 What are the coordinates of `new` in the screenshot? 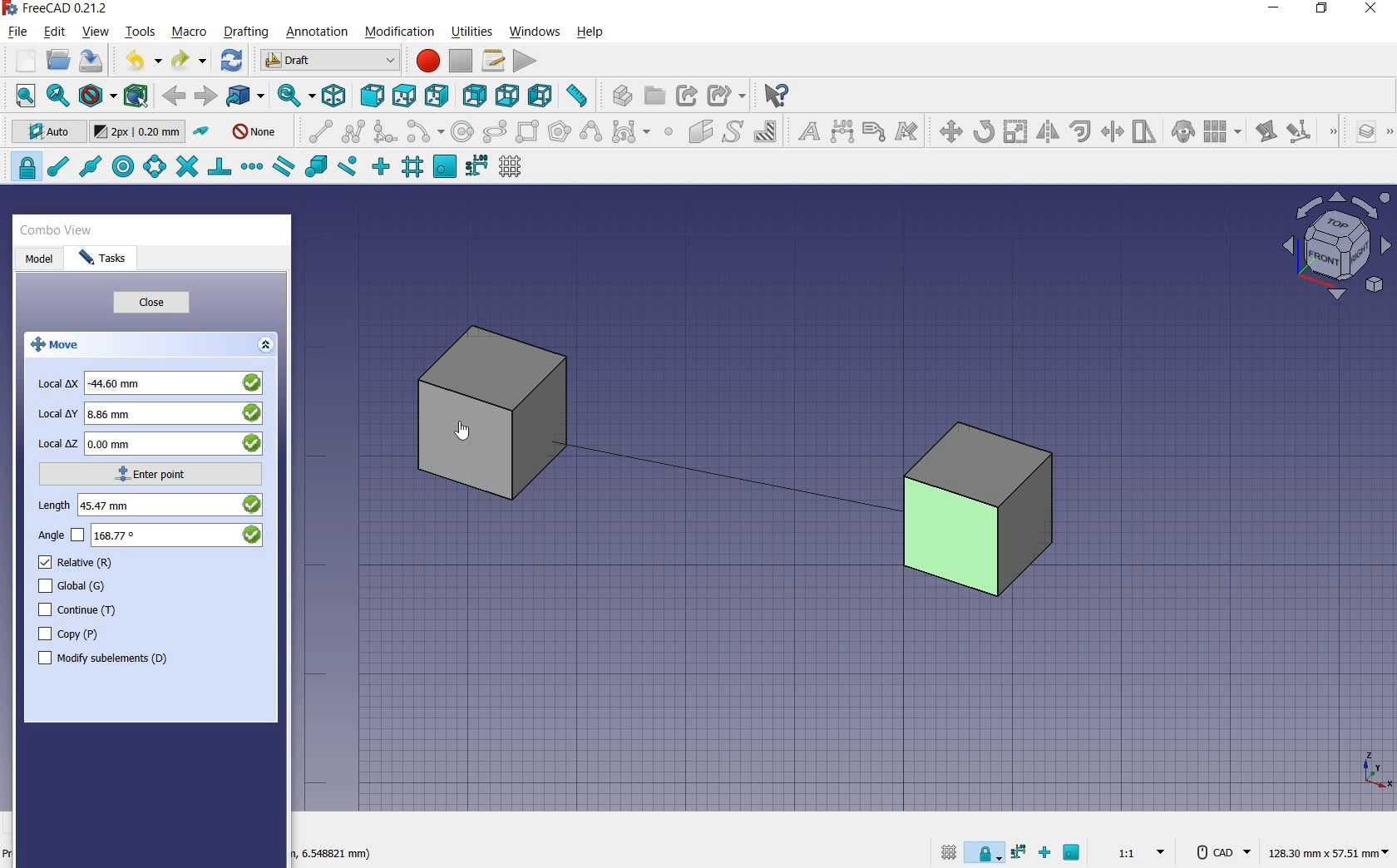 It's located at (21, 61).